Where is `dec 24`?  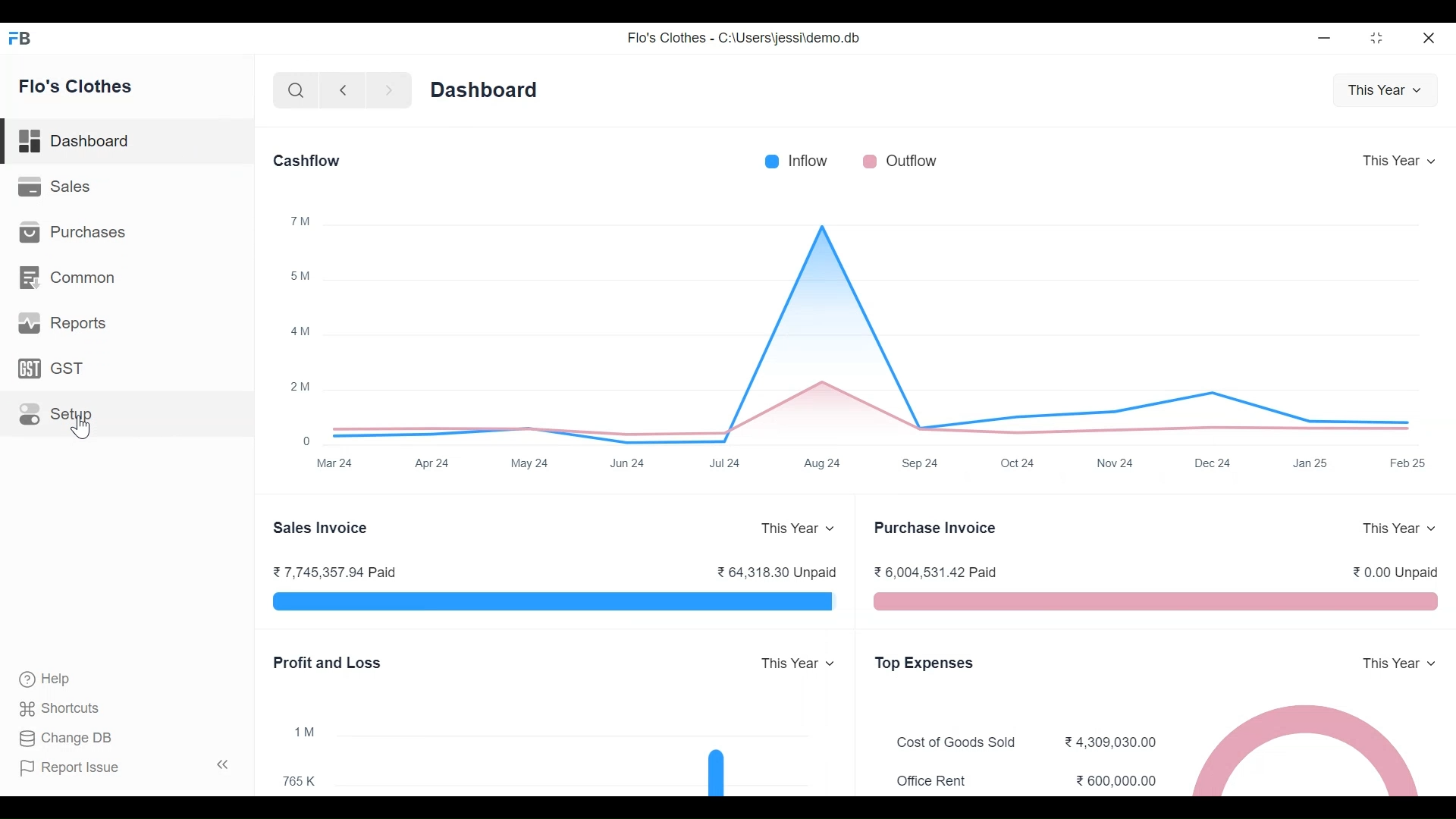
dec 24 is located at coordinates (1213, 463).